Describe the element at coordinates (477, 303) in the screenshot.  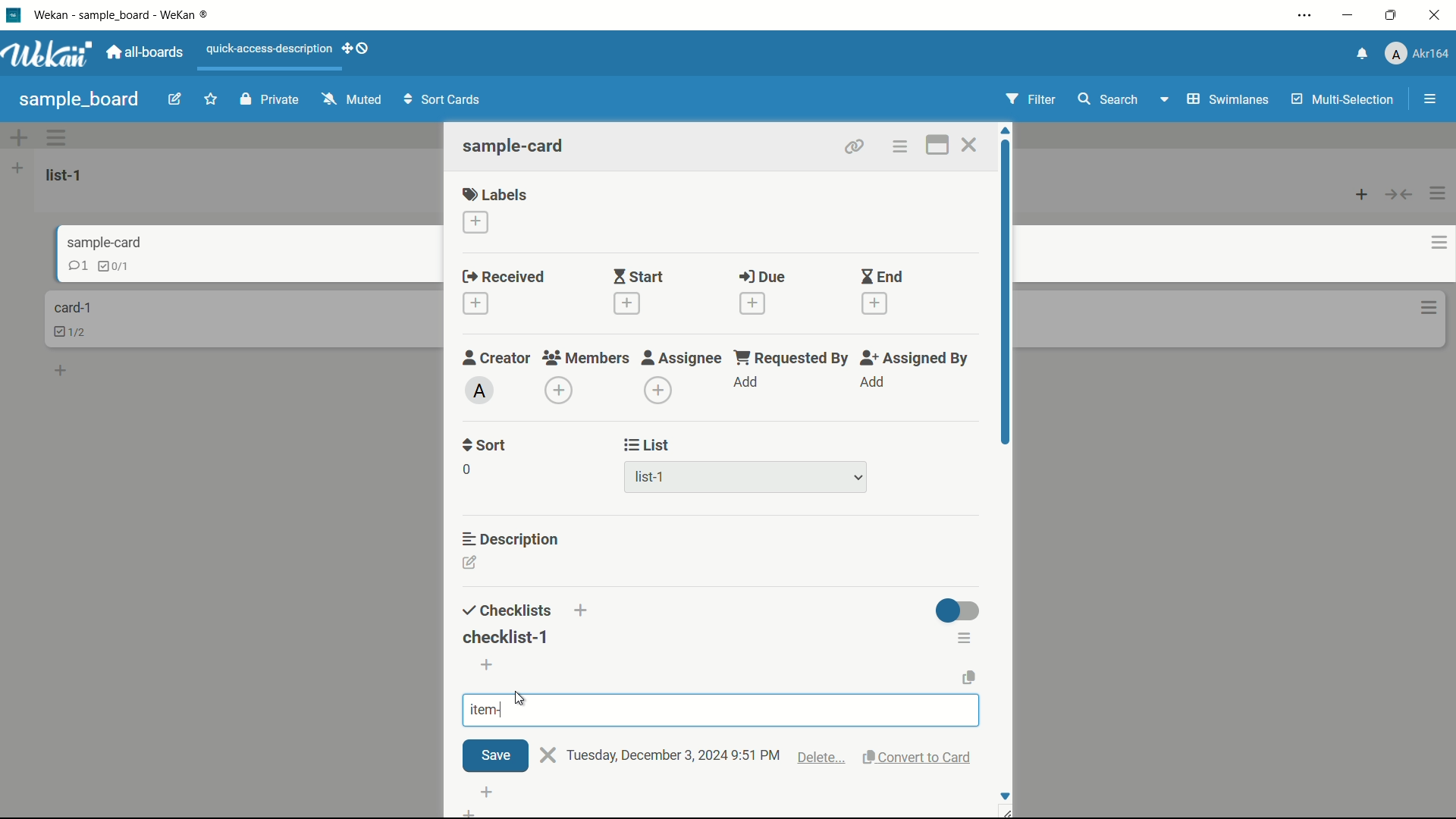
I see `add date` at that location.